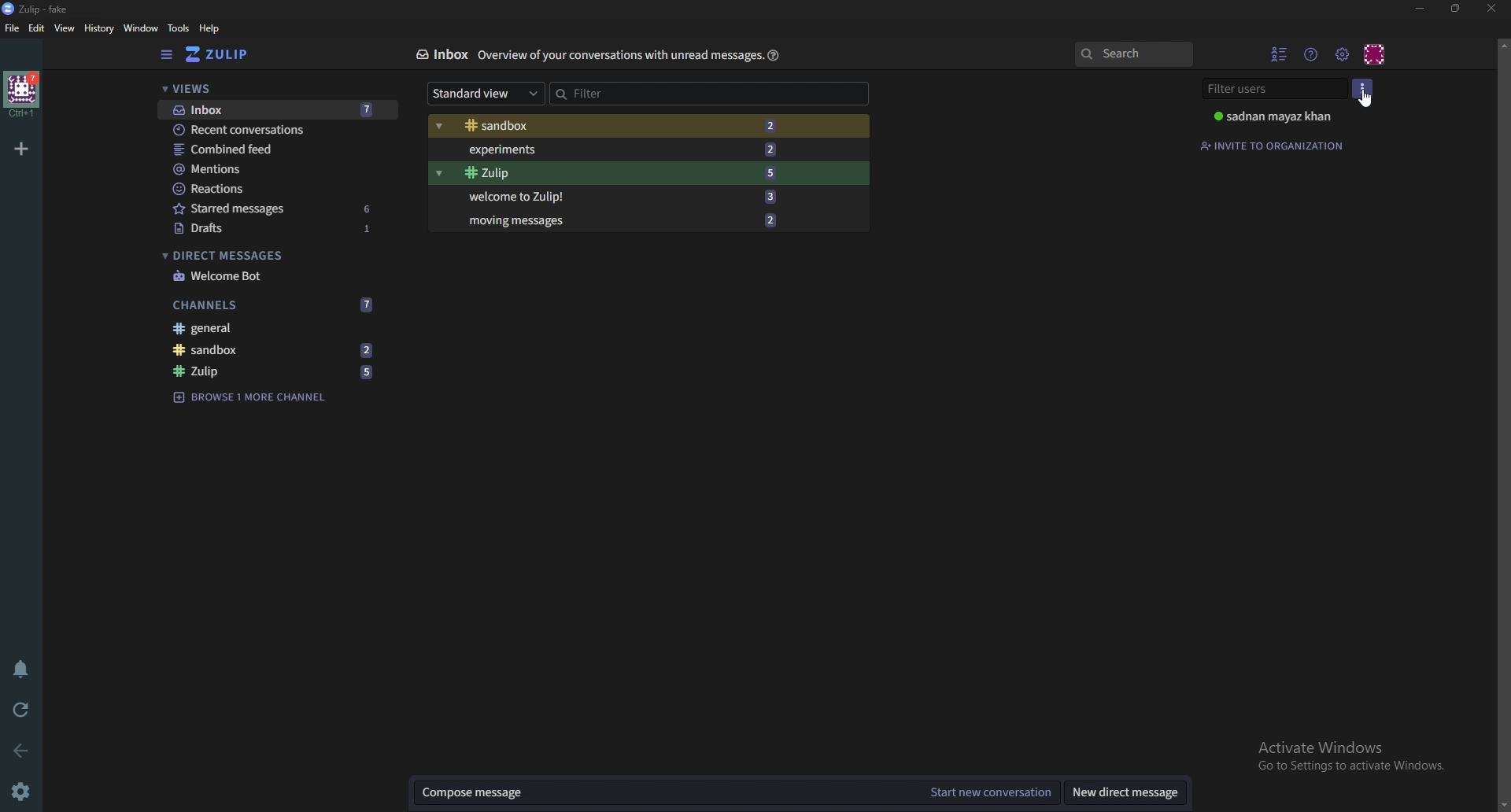 The width and height of the screenshot is (1511, 812). What do you see at coordinates (25, 790) in the screenshot?
I see `Settings` at bounding box center [25, 790].